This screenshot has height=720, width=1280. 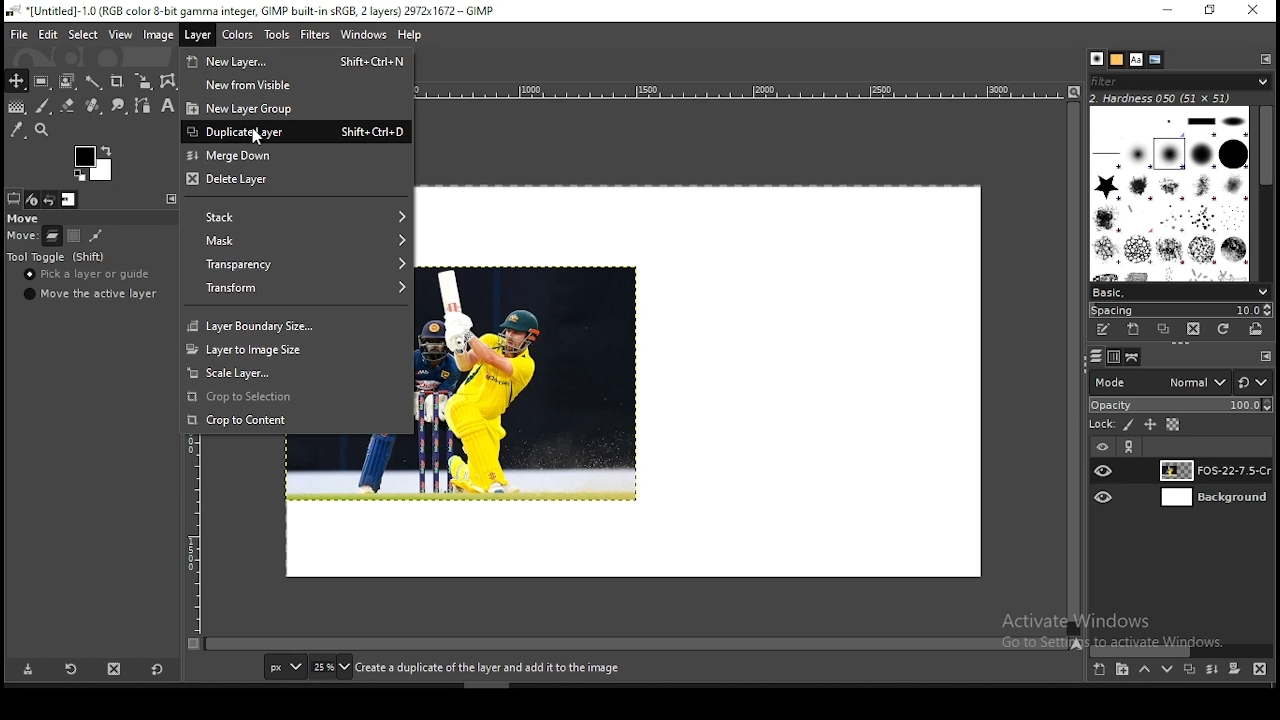 What do you see at coordinates (1101, 445) in the screenshot?
I see `layer visibility on/off` at bounding box center [1101, 445].